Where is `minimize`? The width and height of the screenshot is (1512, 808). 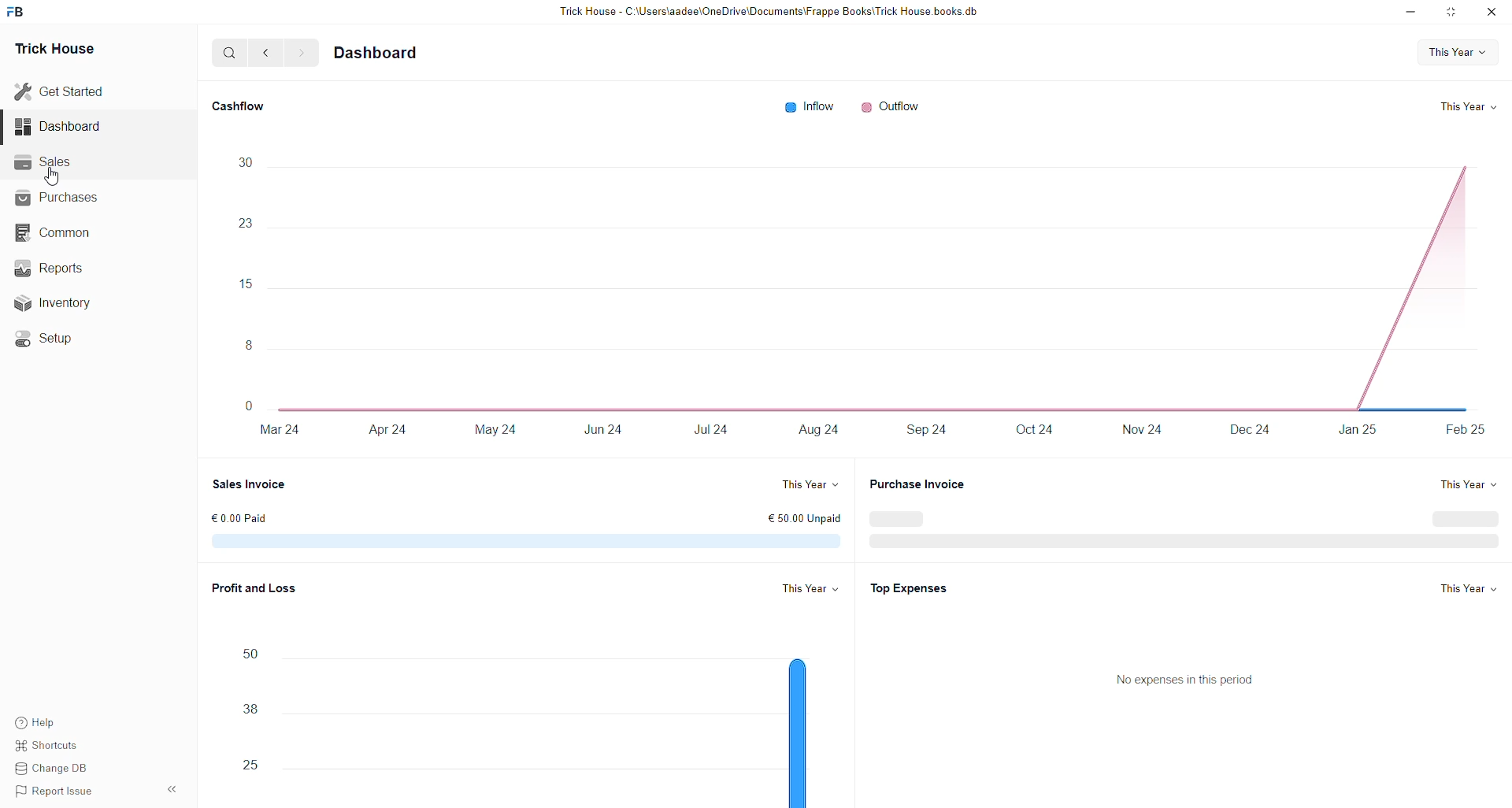
minimize is located at coordinates (1411, 13).